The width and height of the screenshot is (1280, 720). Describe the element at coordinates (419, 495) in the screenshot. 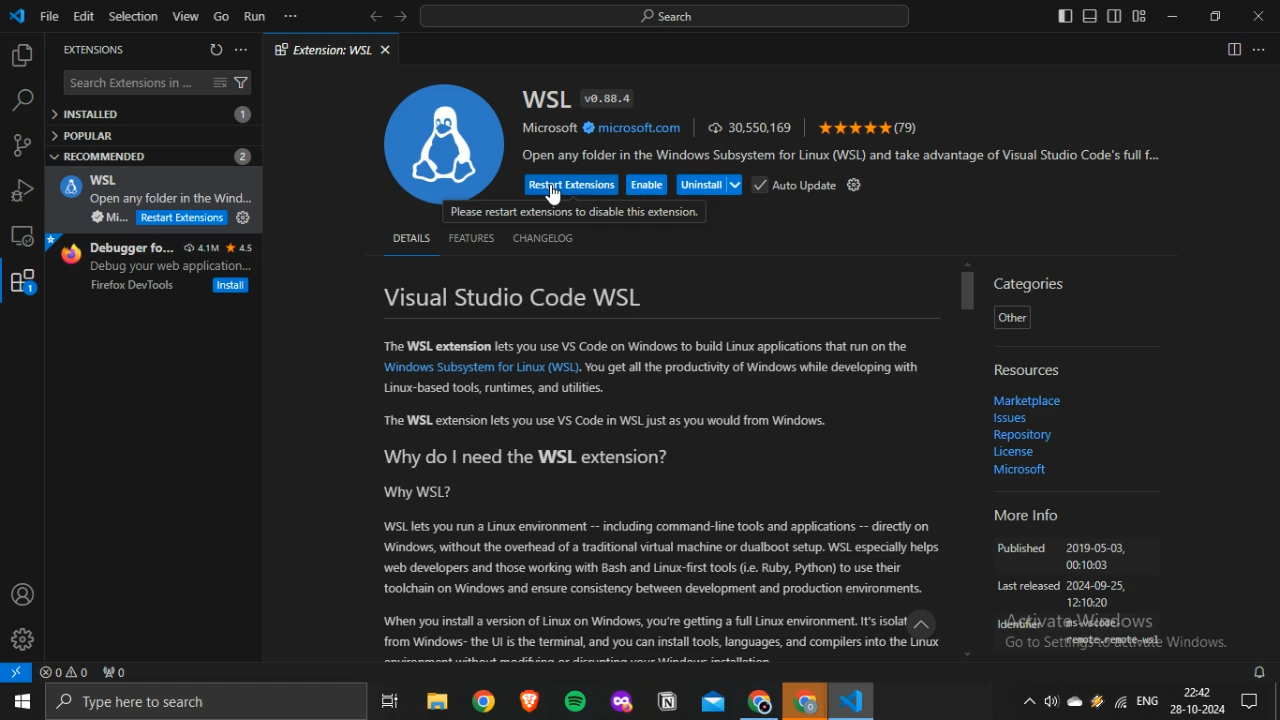

I see `Why WSL?` at that location.